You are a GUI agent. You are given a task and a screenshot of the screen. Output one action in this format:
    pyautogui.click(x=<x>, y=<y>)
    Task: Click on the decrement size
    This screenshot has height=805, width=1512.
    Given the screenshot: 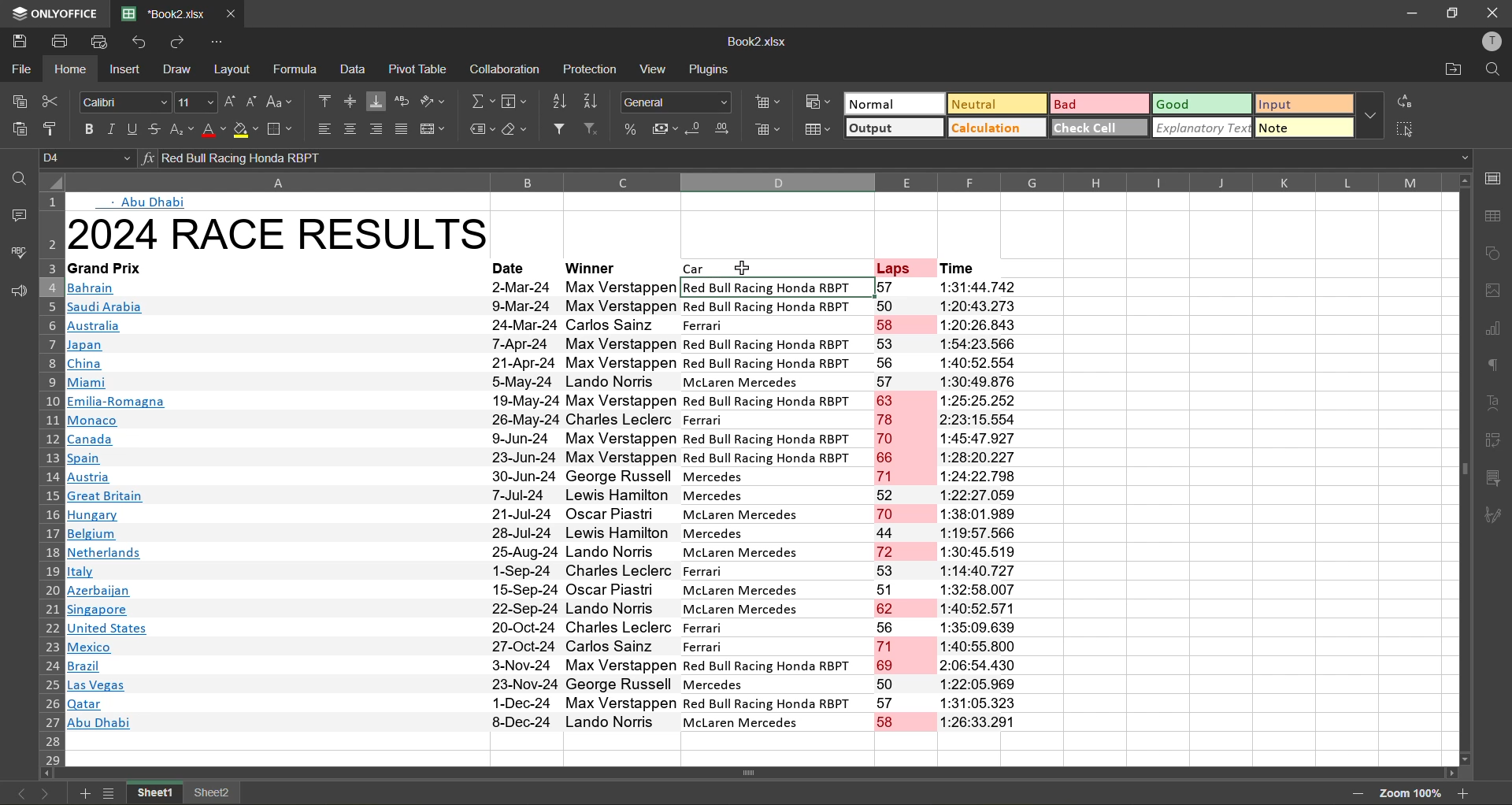 What is the action you would take?
    pyautogui.click(x=252, y=100)
    